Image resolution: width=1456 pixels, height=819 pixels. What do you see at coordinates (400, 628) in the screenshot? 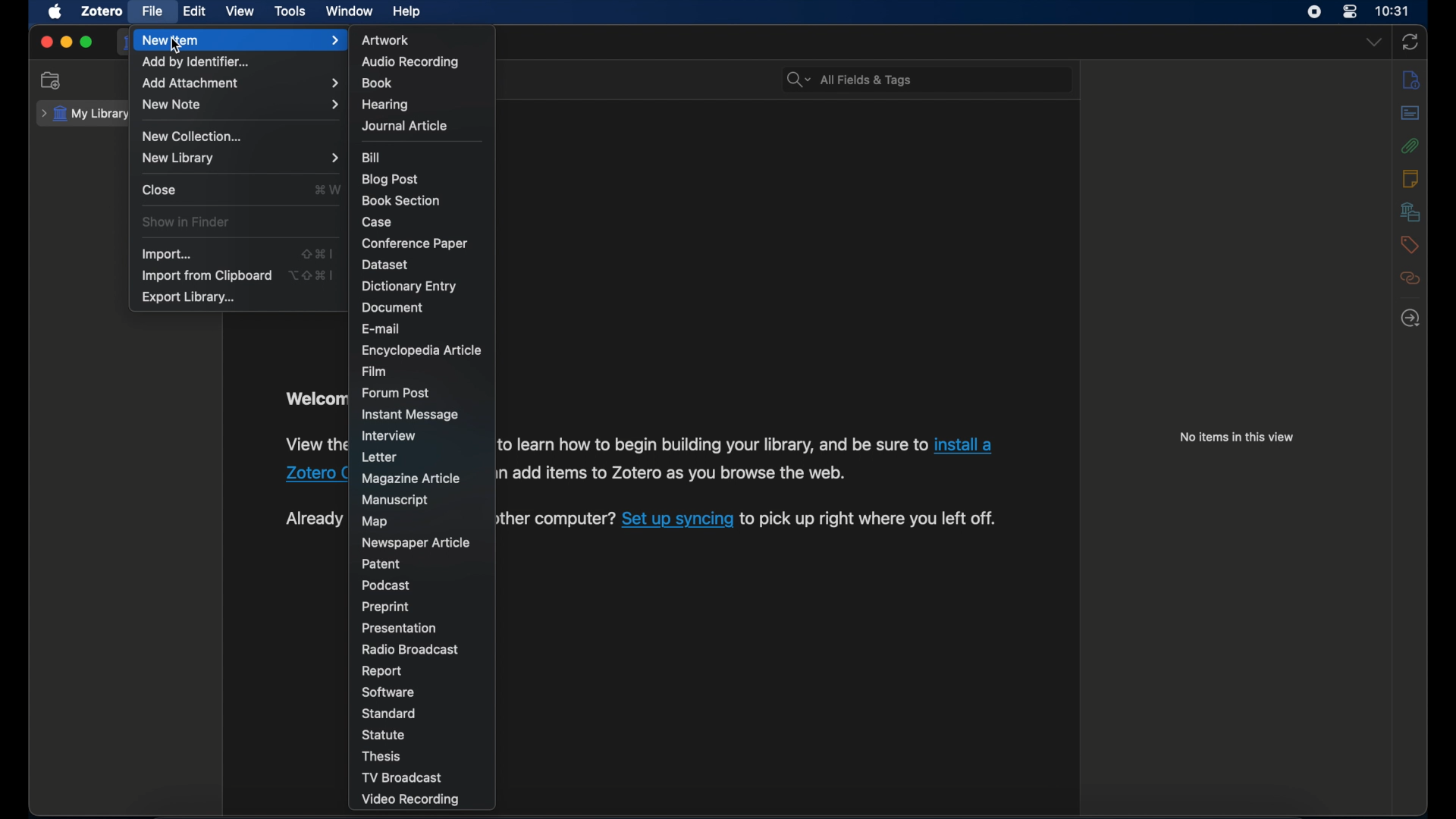
I see `presentation` at bounding box center [400, 628].